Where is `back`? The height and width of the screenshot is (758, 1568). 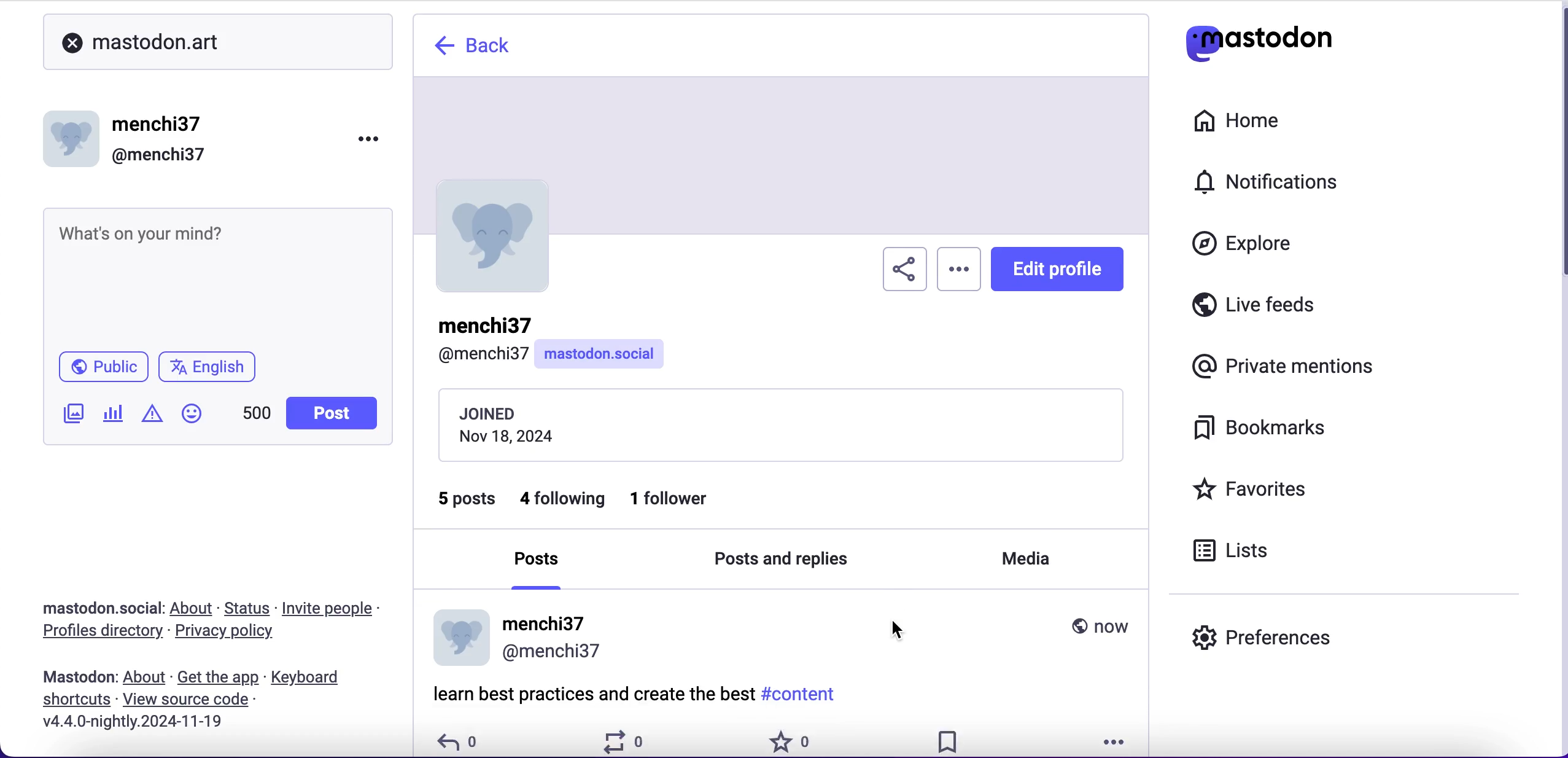
back is located at coordinates (483, 48).